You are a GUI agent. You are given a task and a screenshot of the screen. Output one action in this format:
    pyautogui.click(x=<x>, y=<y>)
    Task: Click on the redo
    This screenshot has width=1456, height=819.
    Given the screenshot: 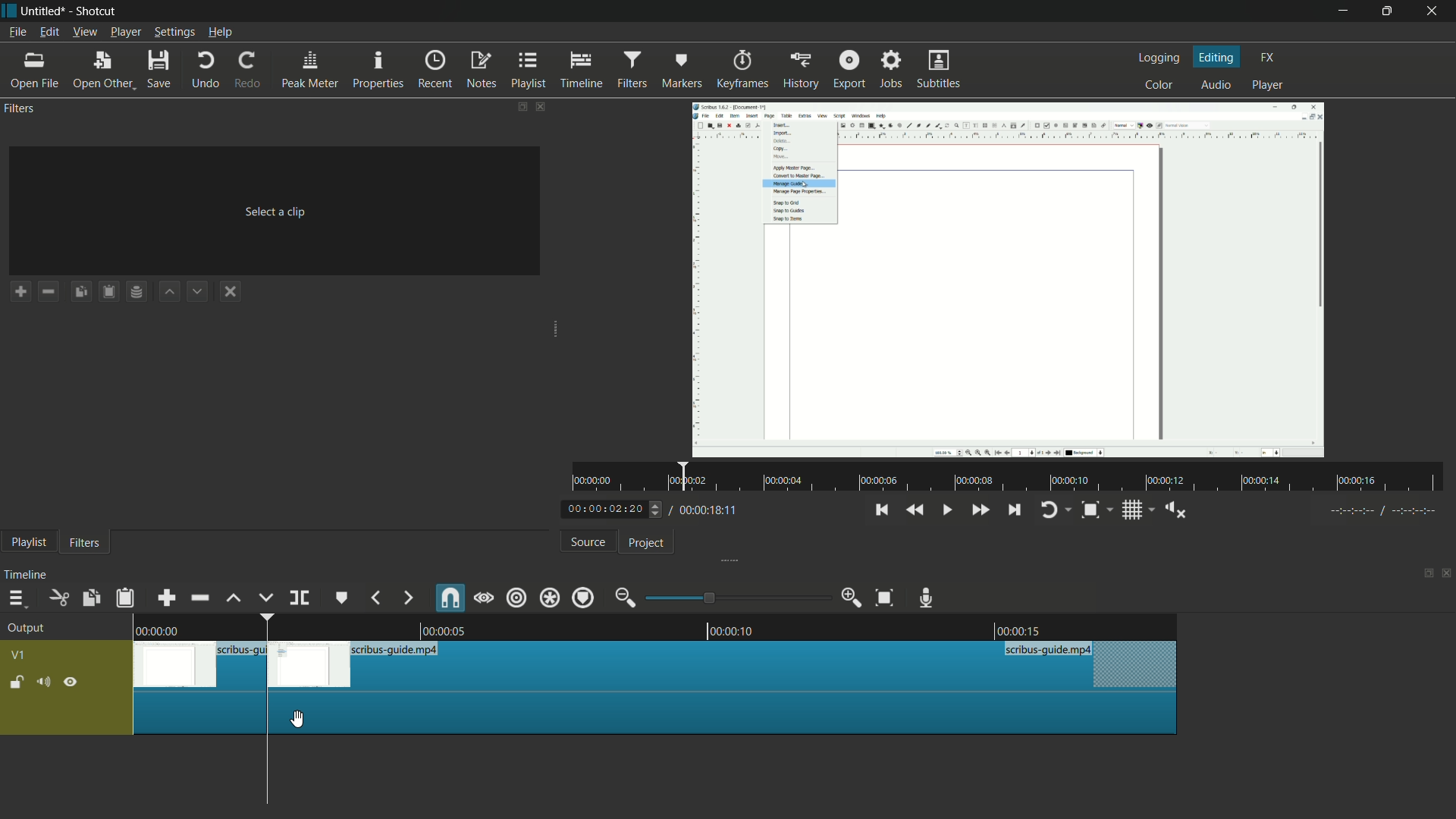 What is the action you would take?
    pyautogui.click(x=249, y=69)
    